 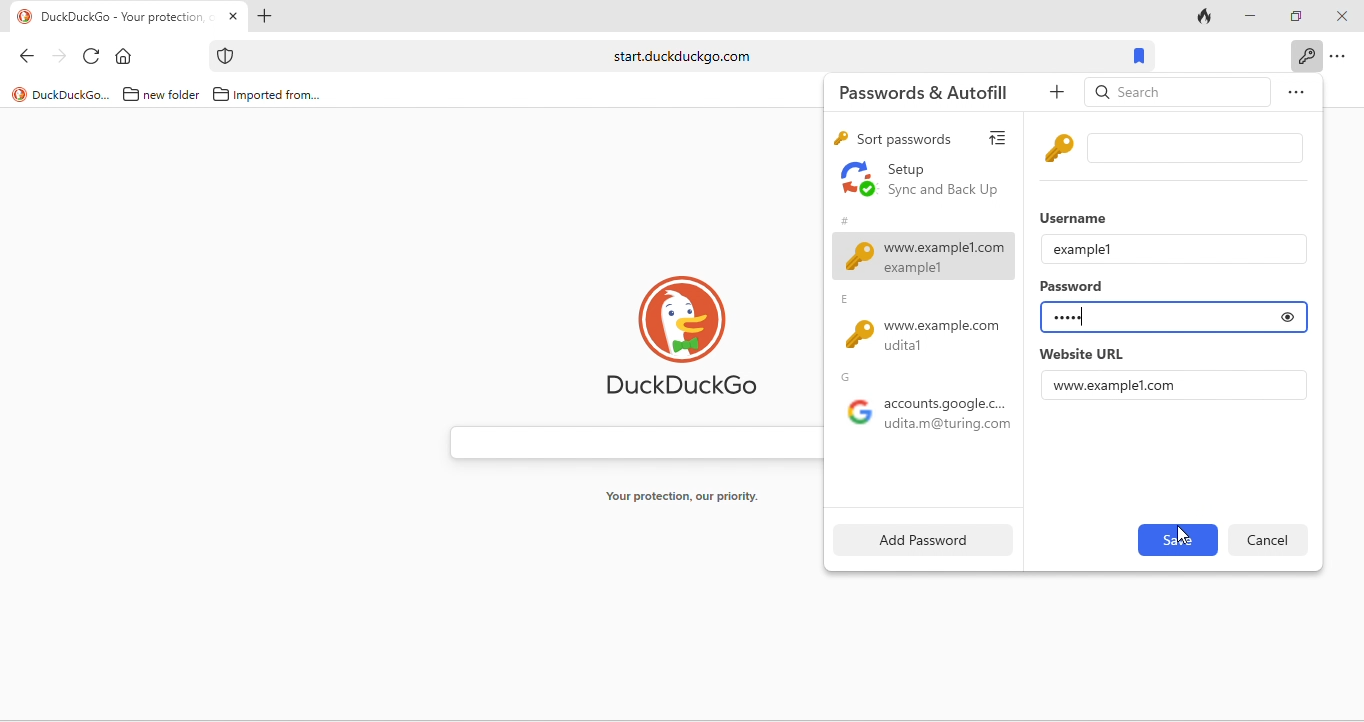 I want to click on set up, so click(x=922, y=181).